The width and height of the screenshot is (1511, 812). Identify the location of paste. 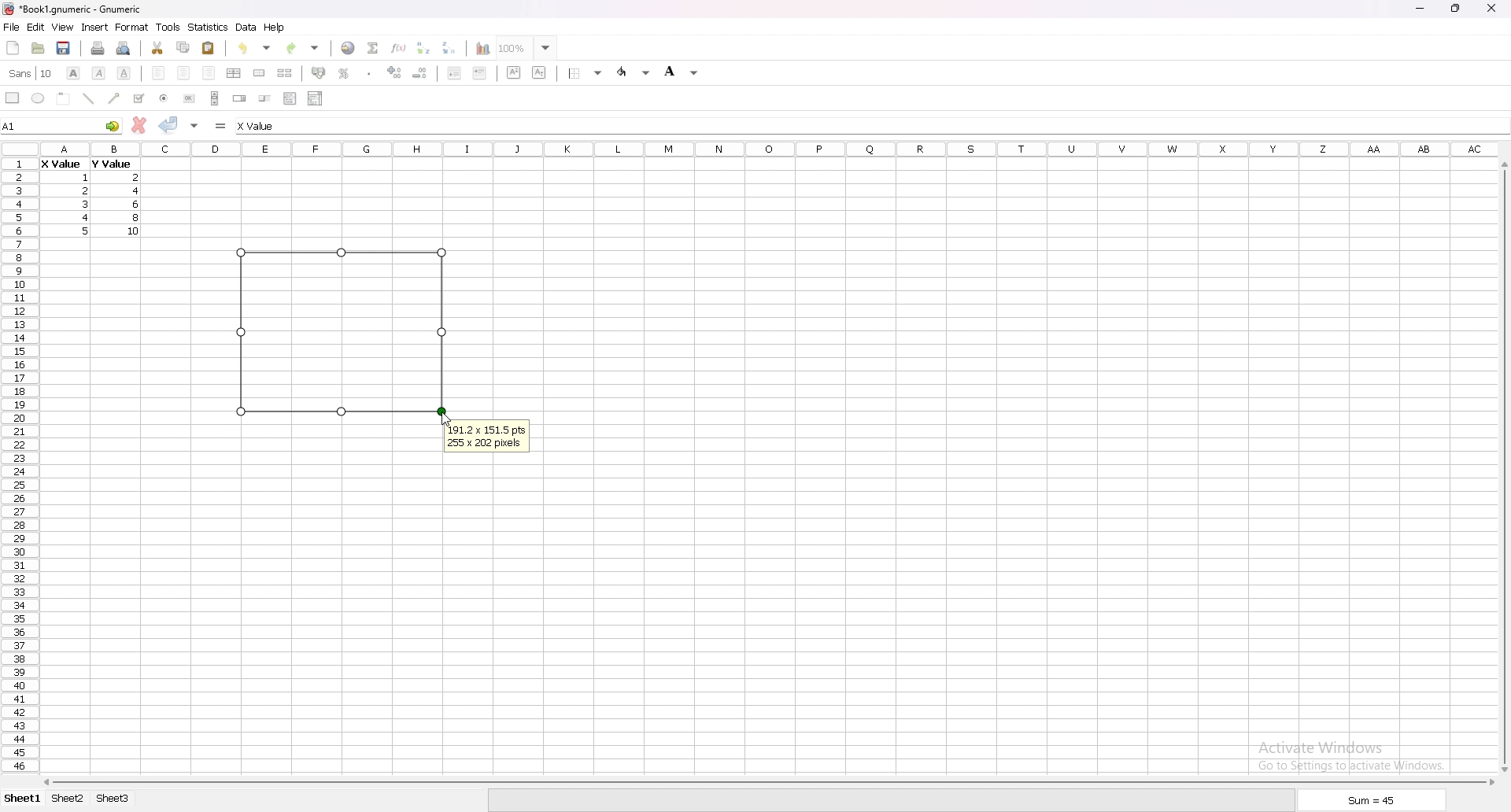
(209, 47).